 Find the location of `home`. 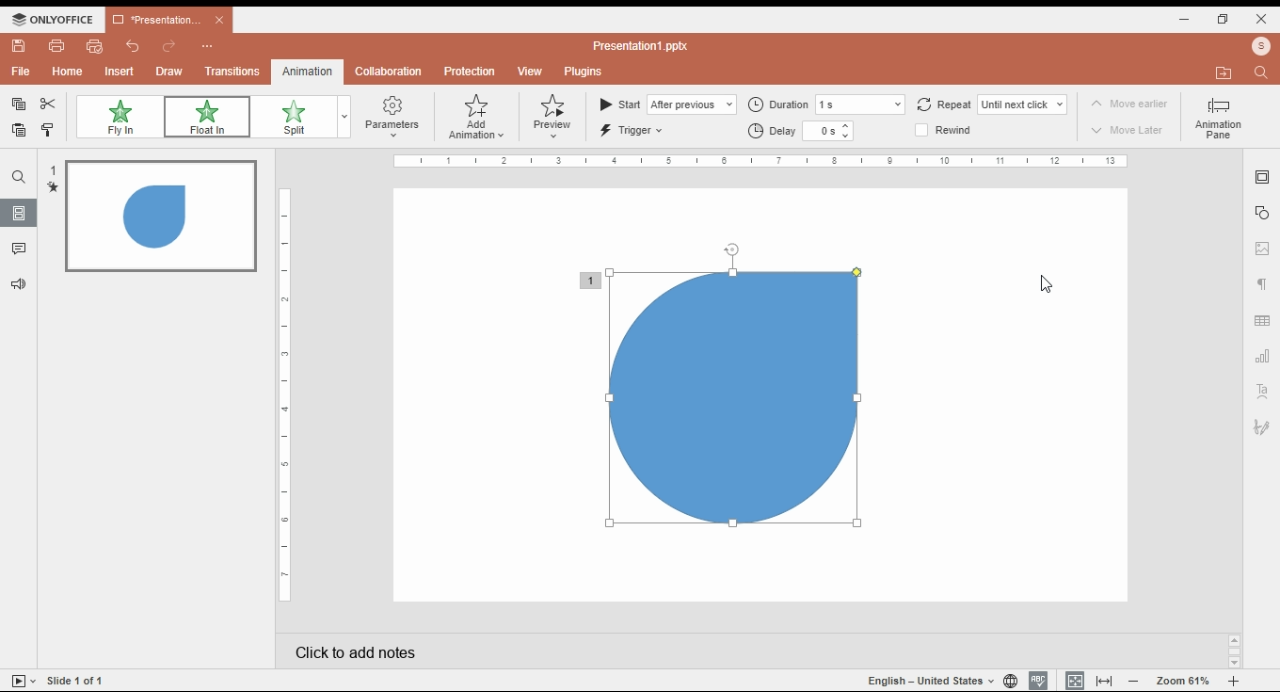

home is located at coordinates (68, 71).